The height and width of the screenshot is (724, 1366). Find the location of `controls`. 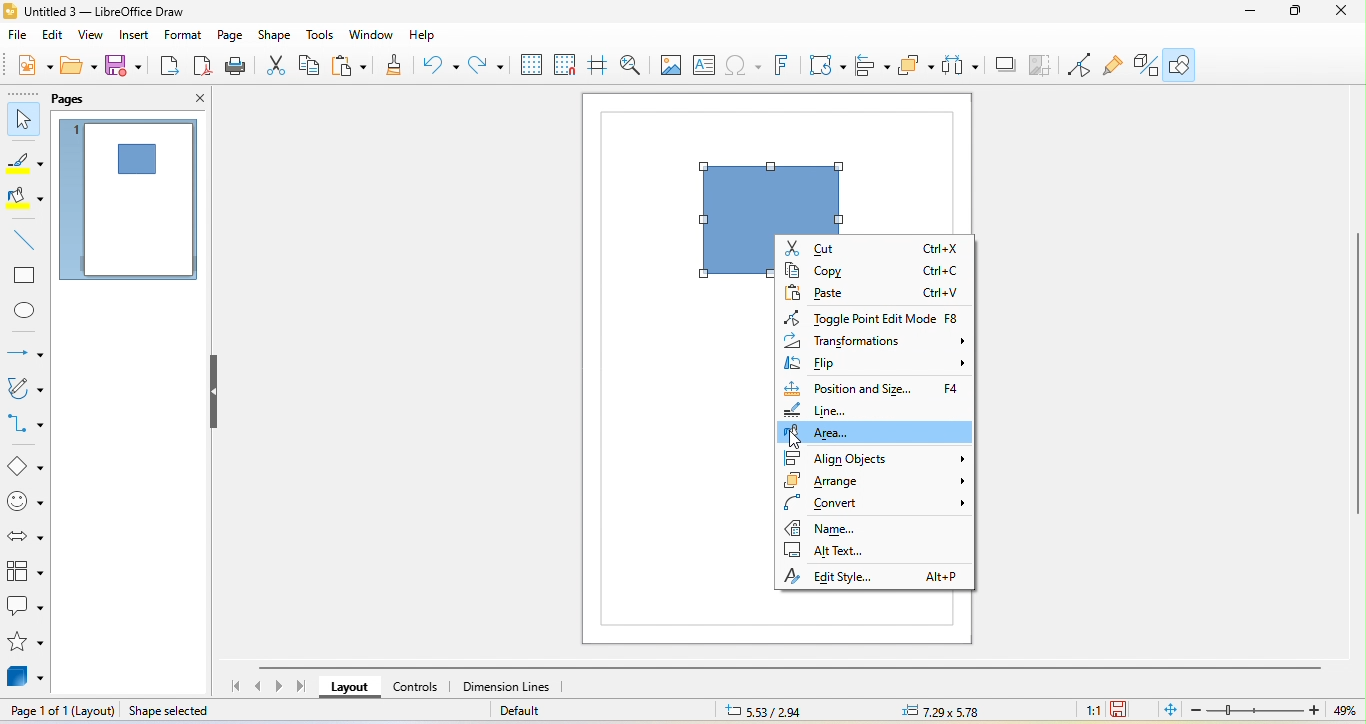

controls is located at coordinates (422, 689).